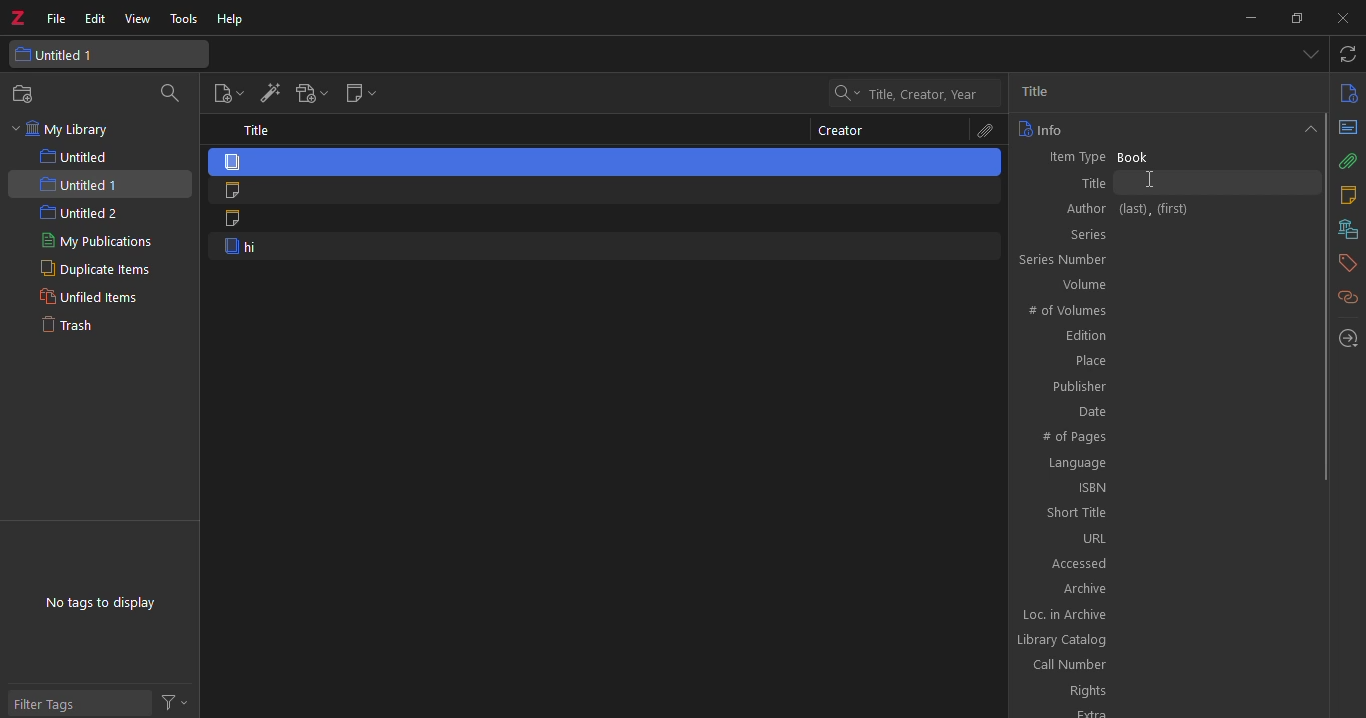 The image size is (1366, 718). I want to click on sync with zotero.org, so click(1349, 55).